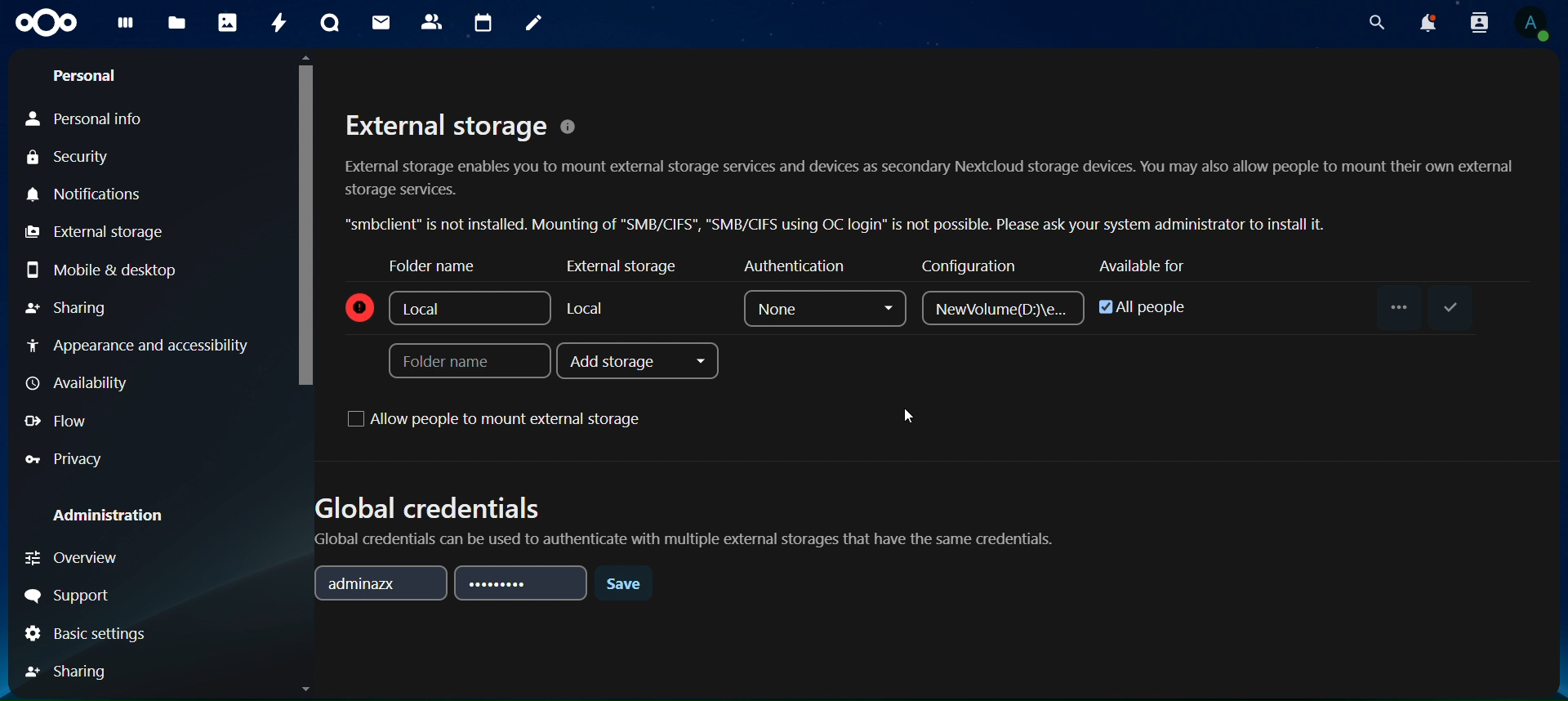  What do you see at coordinates (910, 414) in the screenshot?
I see `cursor` at bounding box center [910, 414].